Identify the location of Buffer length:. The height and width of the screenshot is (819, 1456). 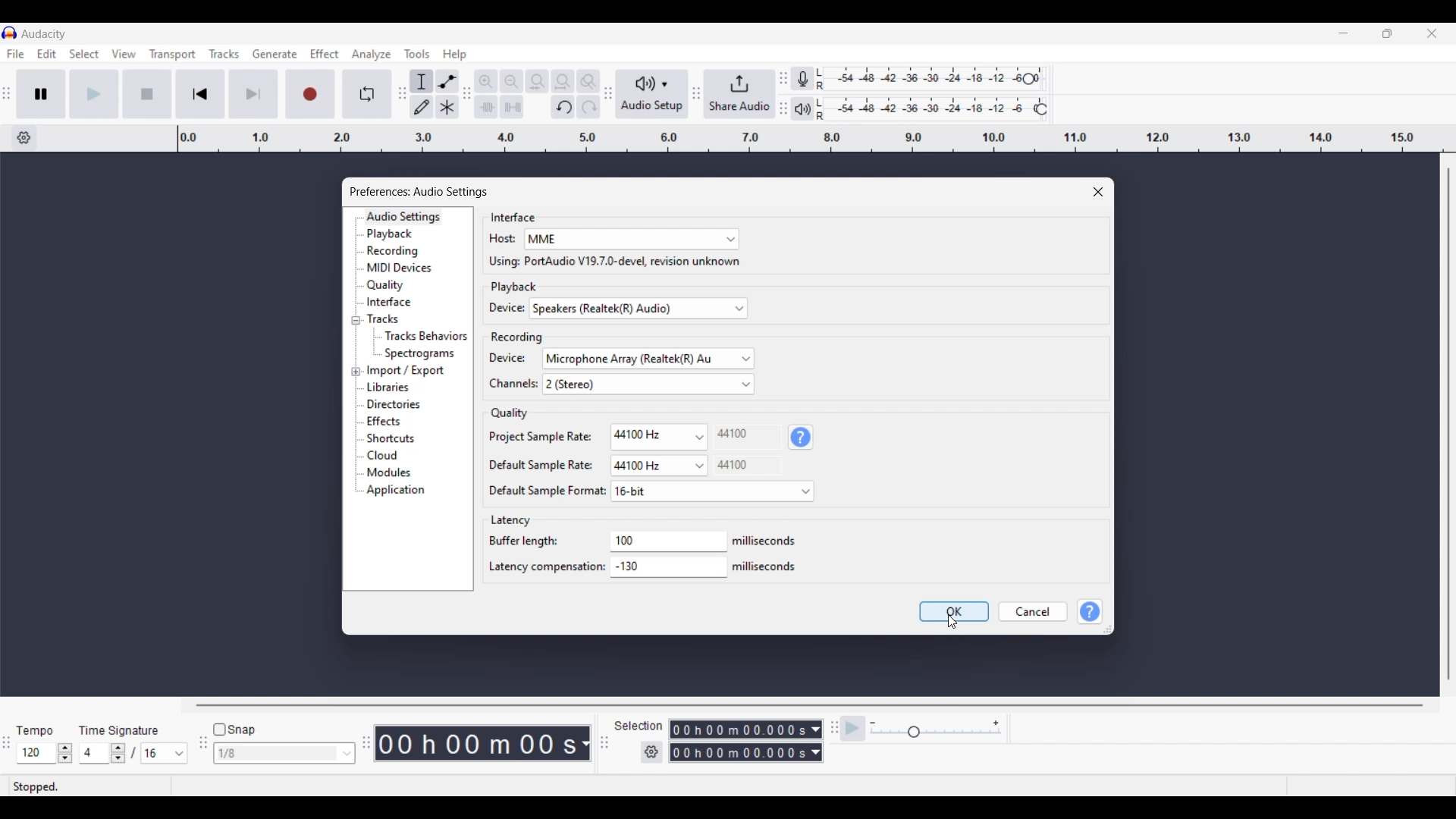
(523, 542).